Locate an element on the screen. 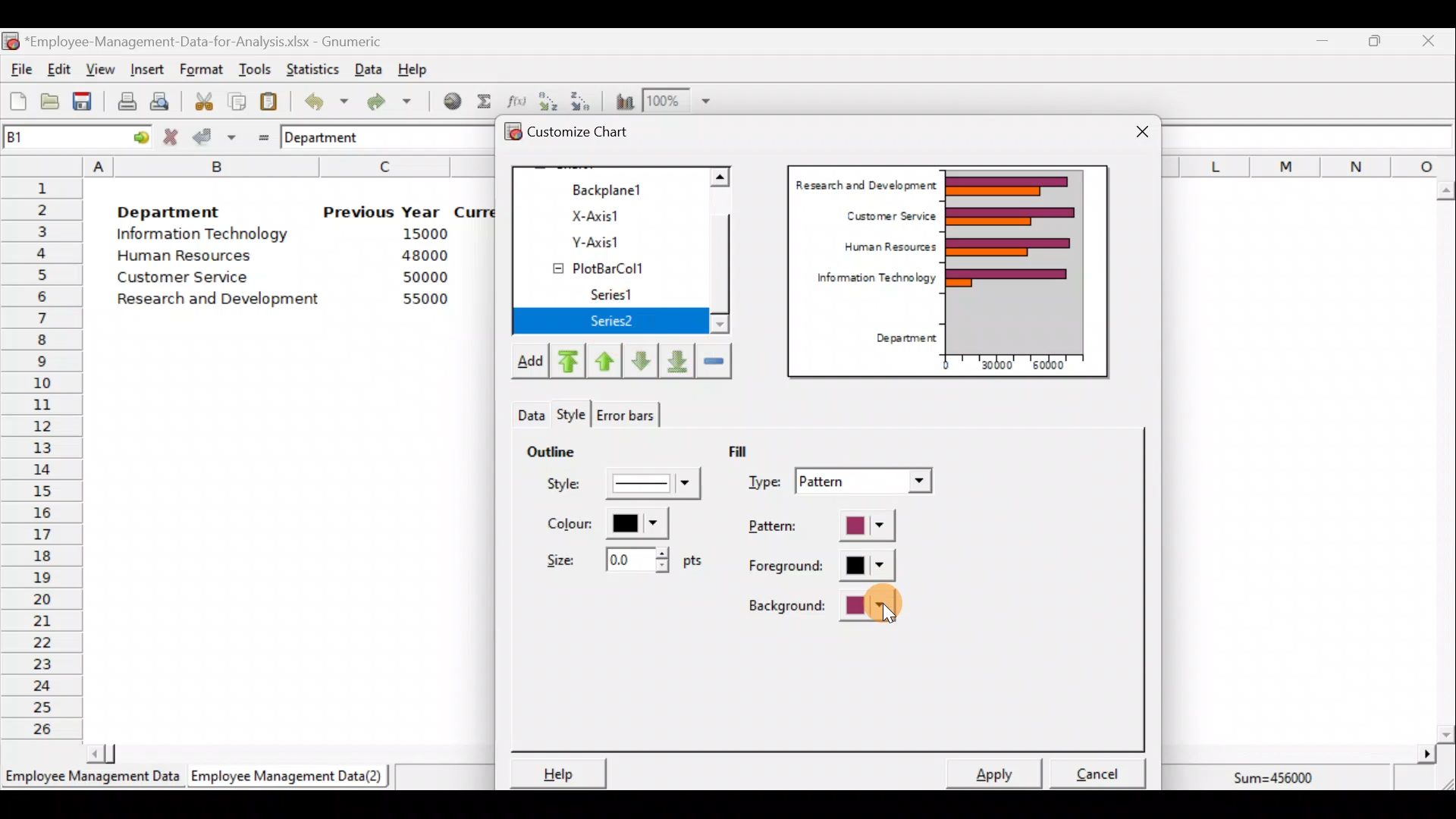  Scroll bar is located at coordinates (728, 253).